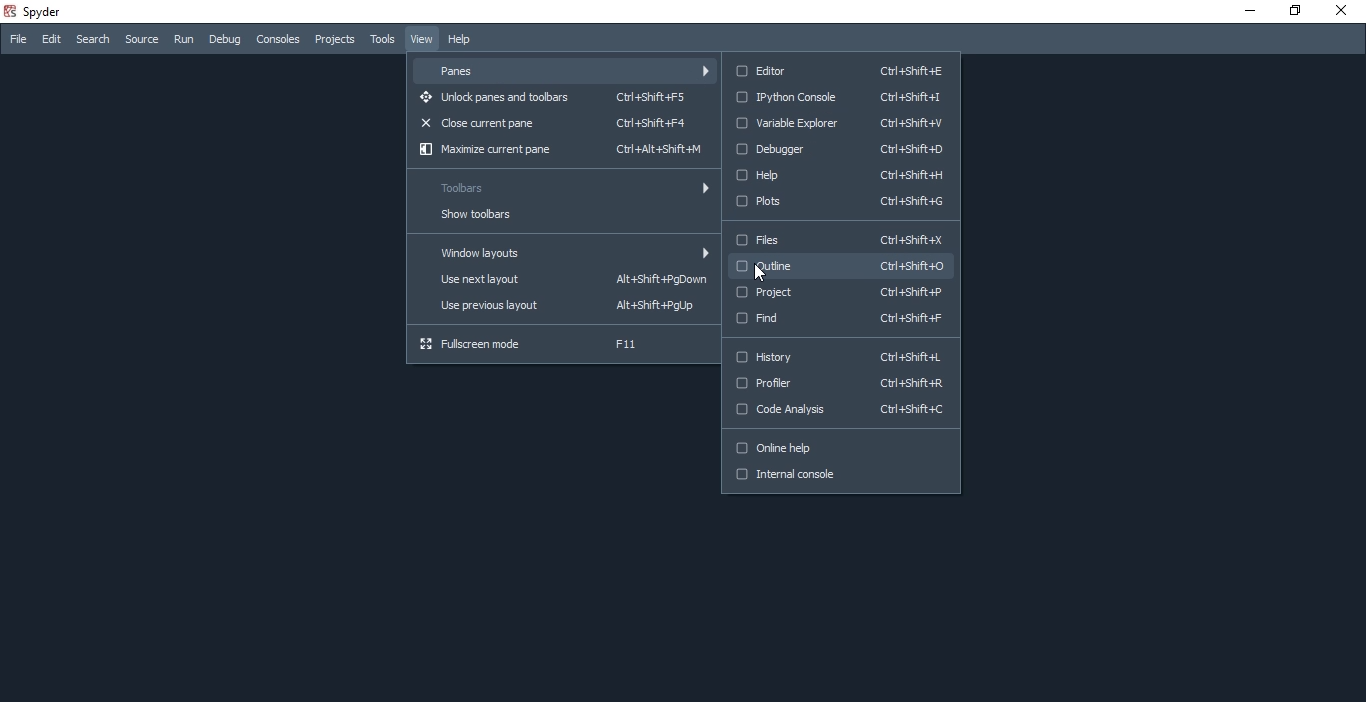 Image resolution: width=1366 pixels, height=702 pixels. Describe the element at coordinates (17, 39) in the screenshot. I see `File ` at that location.